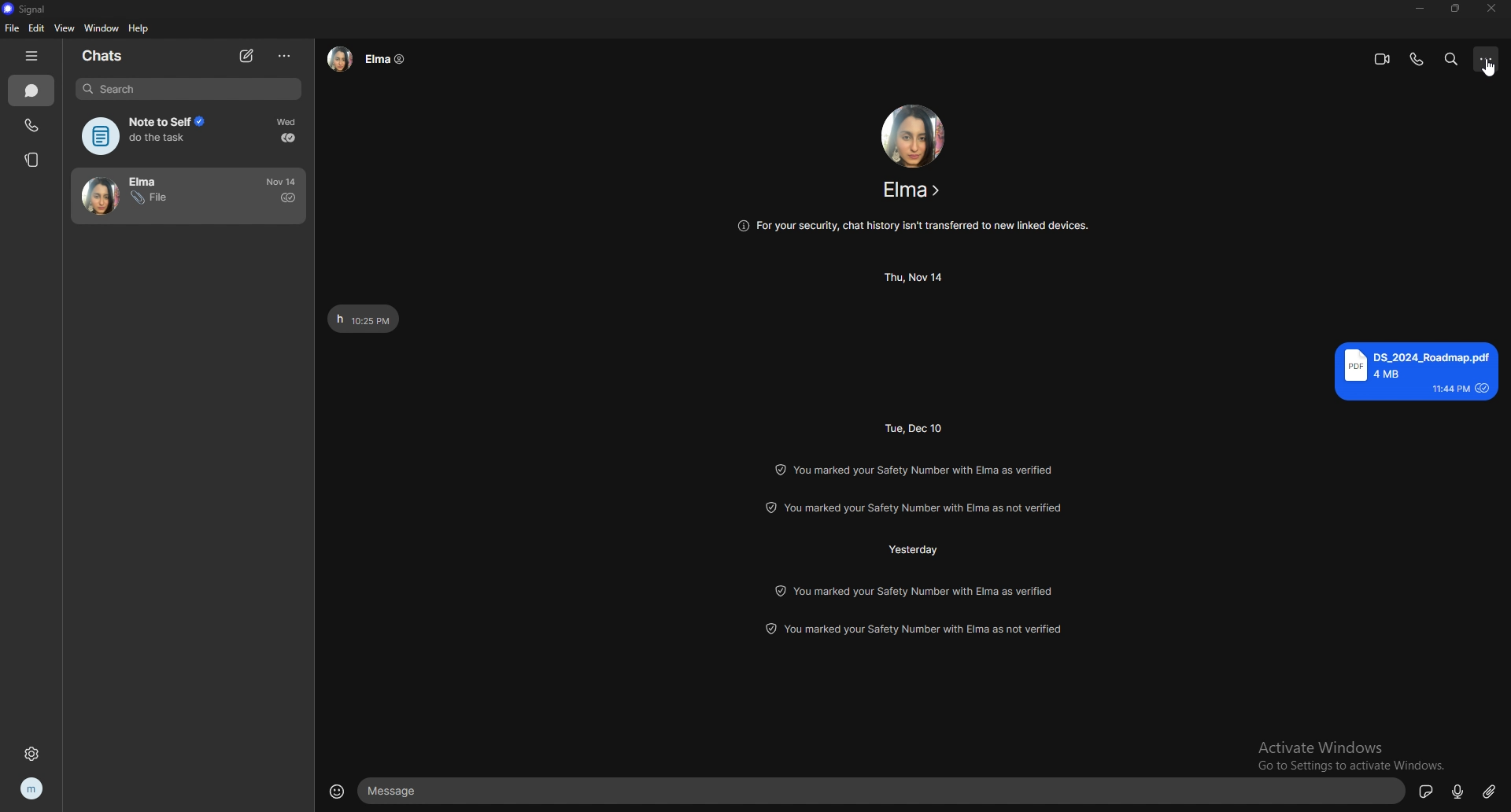  I want to click on chats, so click(105, 57).